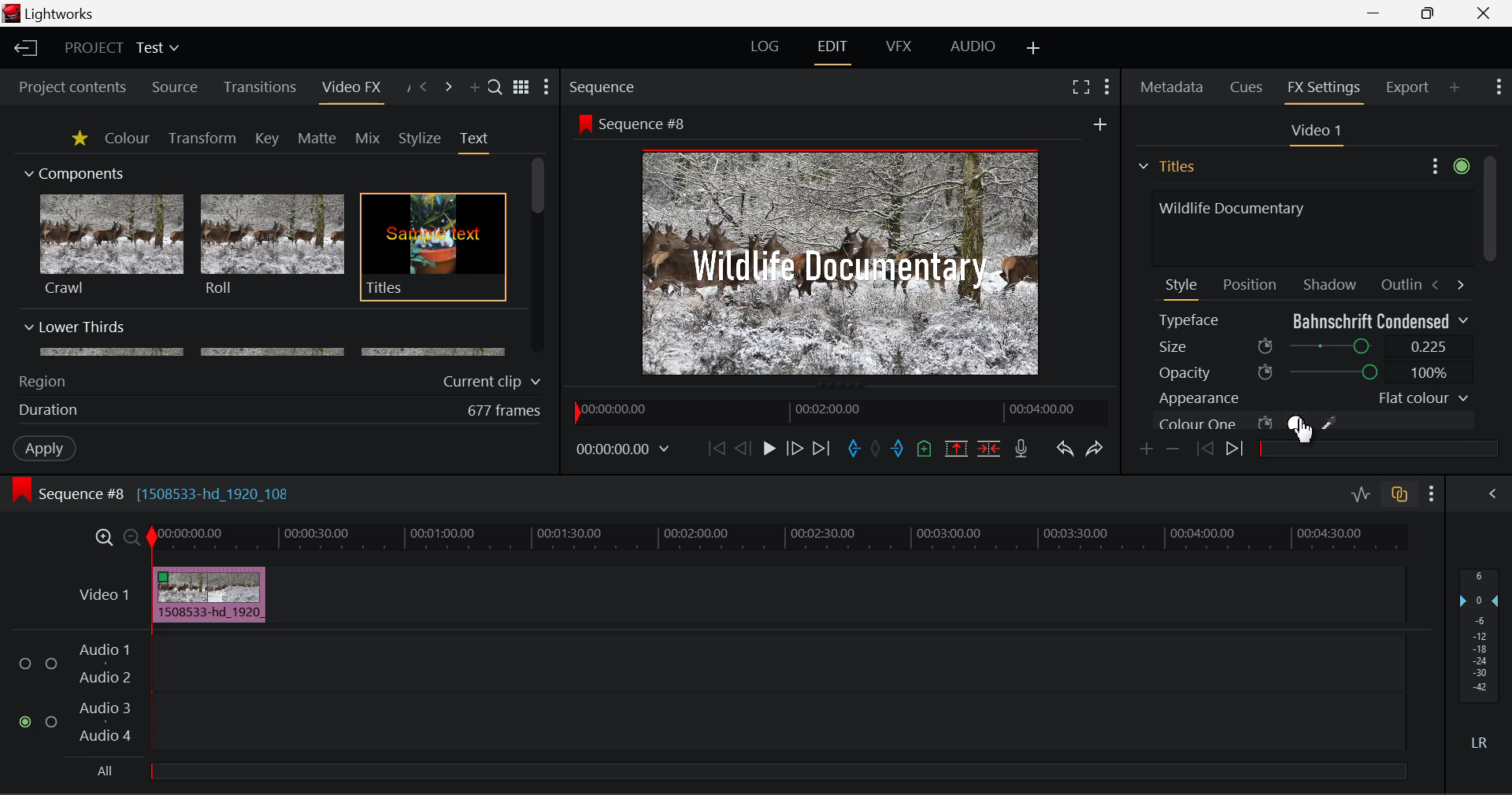  I want to click on checkbox, so click(52, 665).